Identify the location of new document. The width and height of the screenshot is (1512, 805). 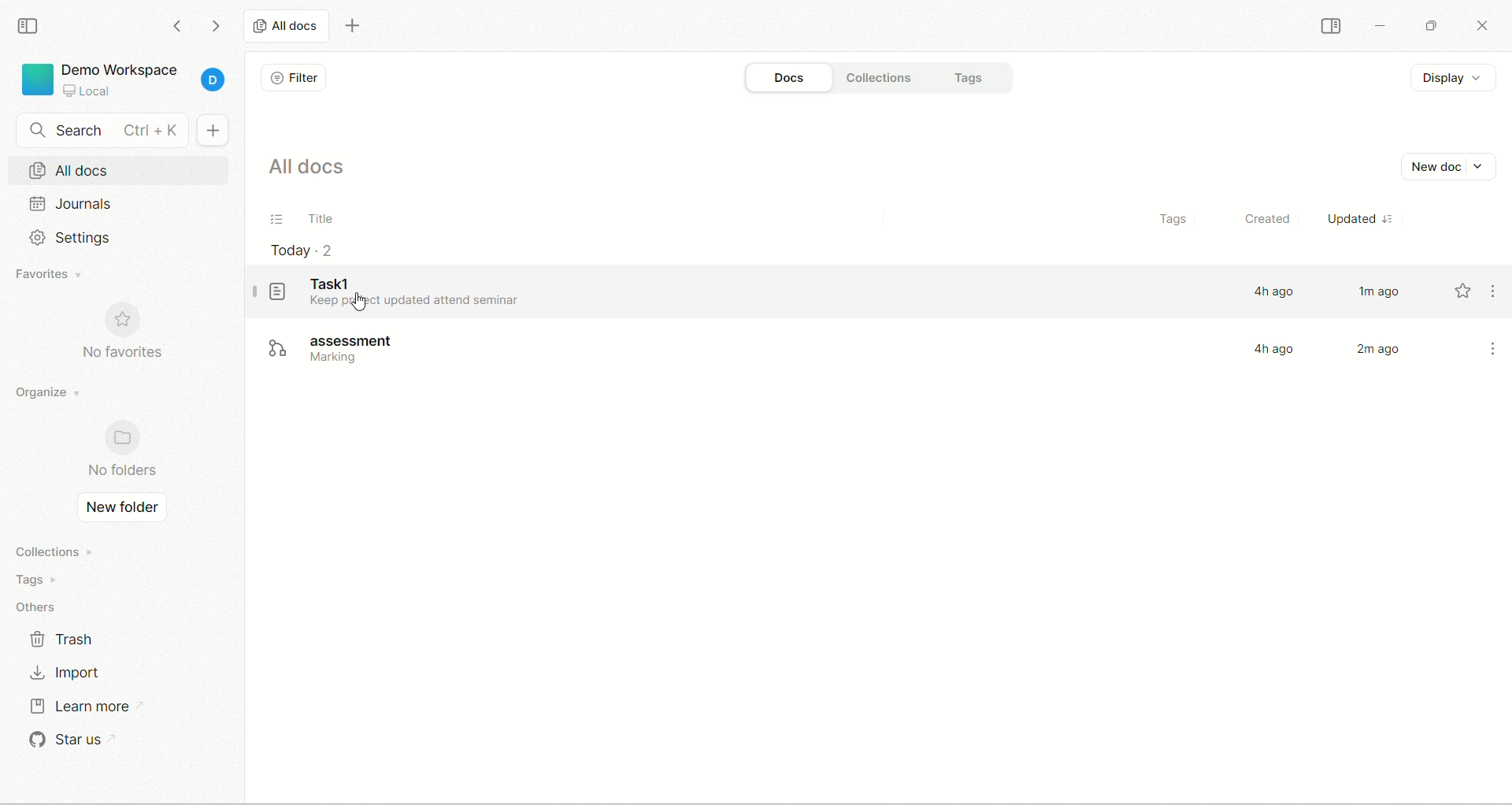
(213, 132).